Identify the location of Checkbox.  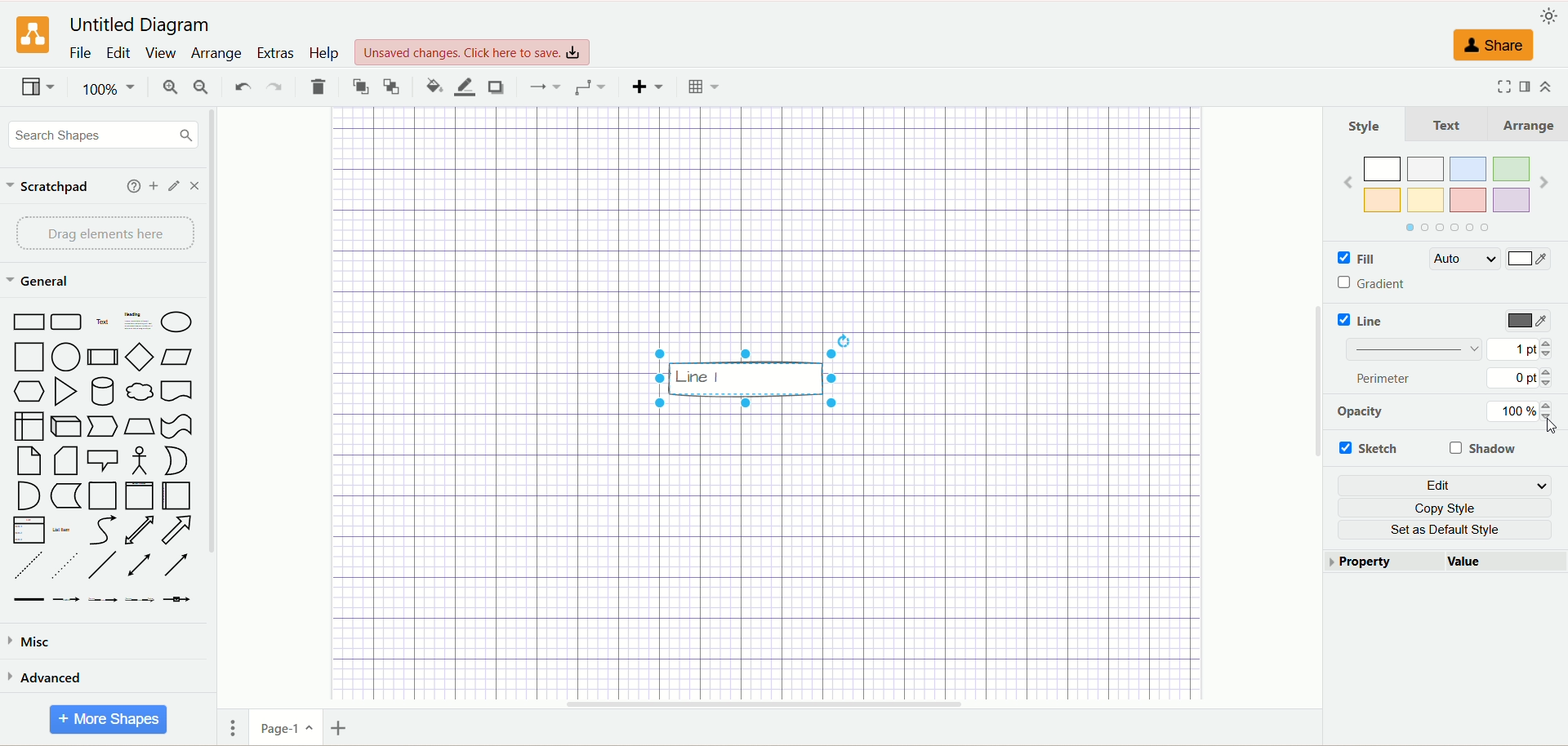
(1343, 282).